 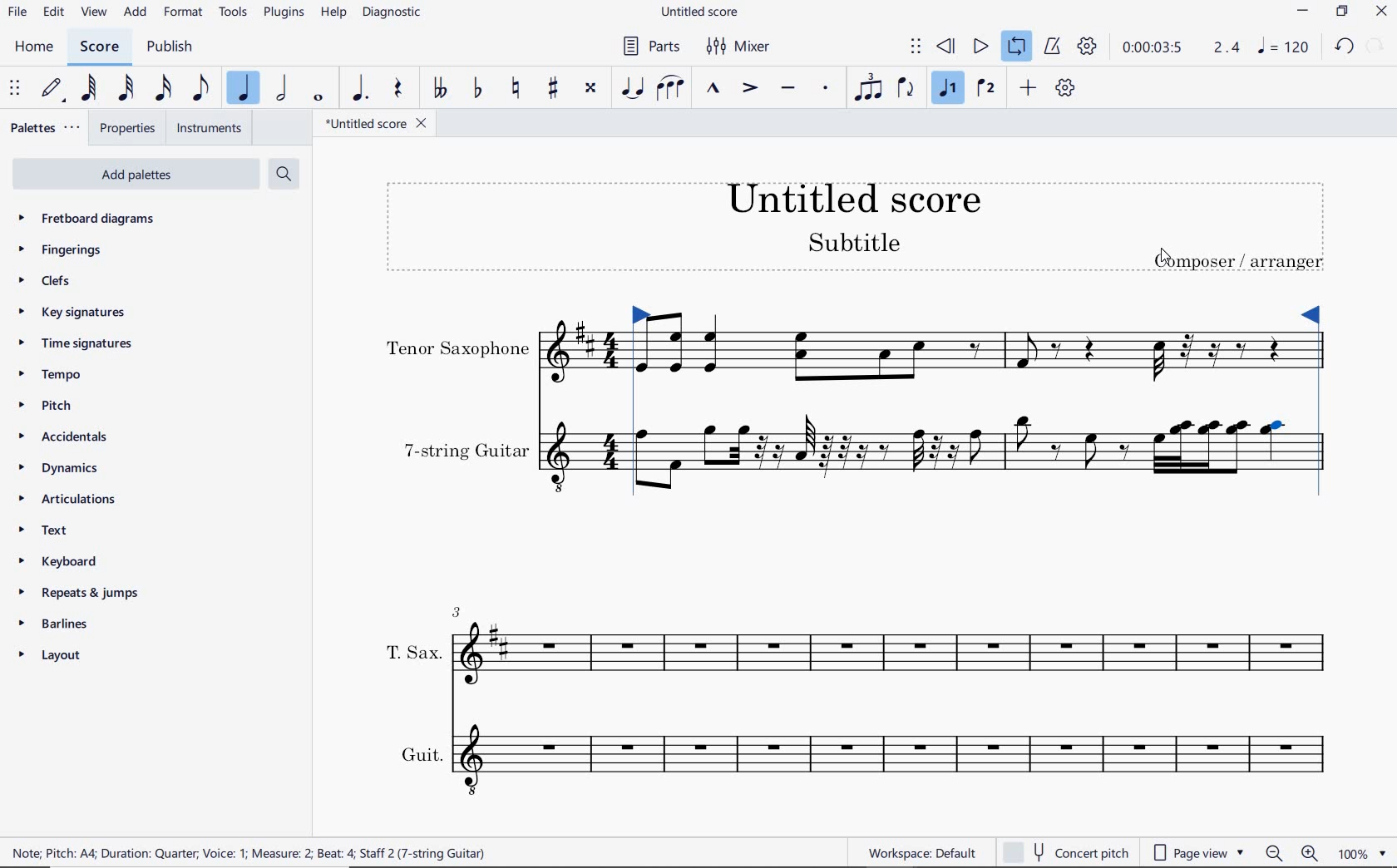 I want to click on DIAGNOSTIC, so click(x=394, y=12).